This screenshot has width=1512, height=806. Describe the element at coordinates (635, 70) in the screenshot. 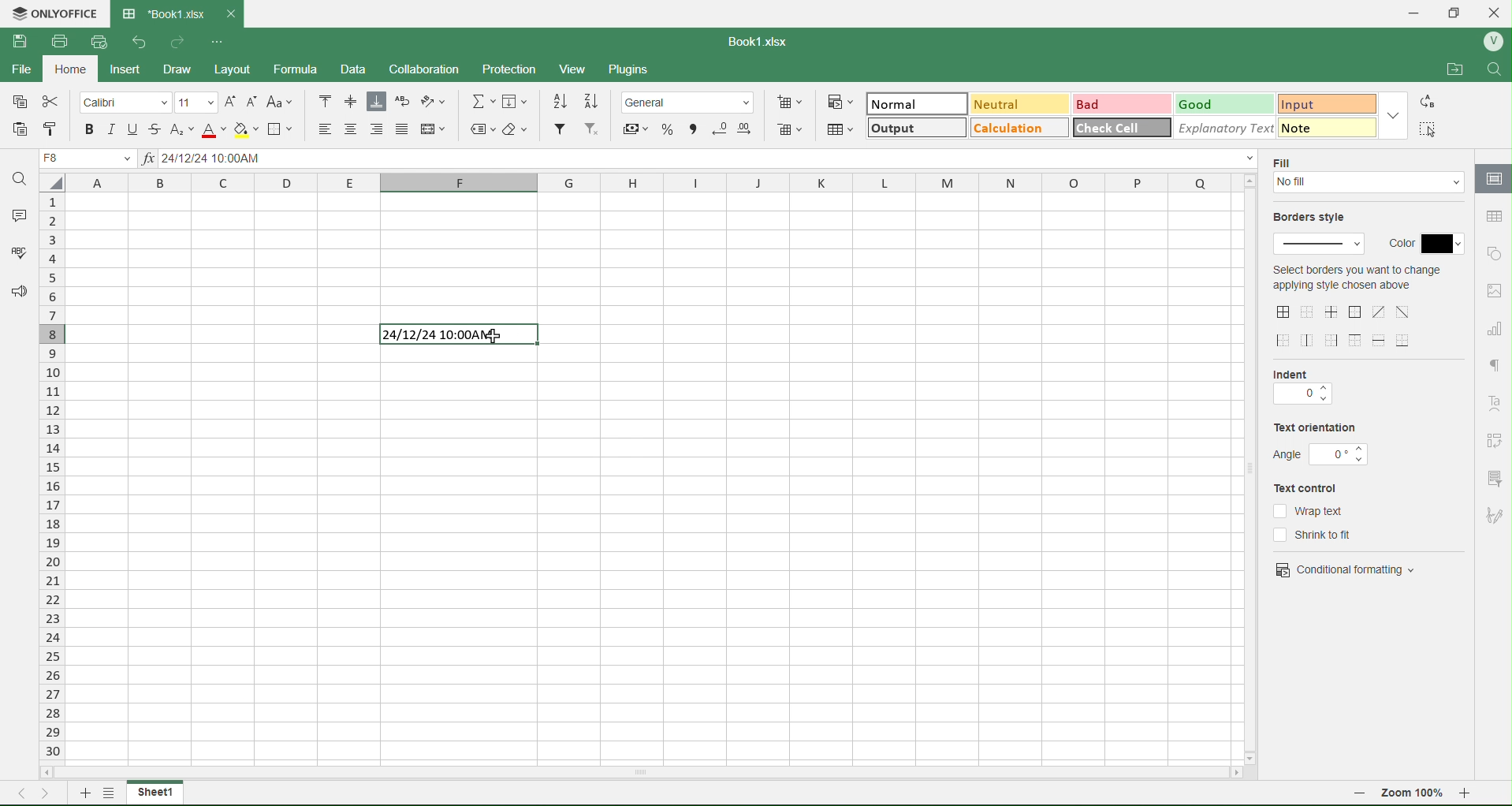

I see `Plugins` at that location.